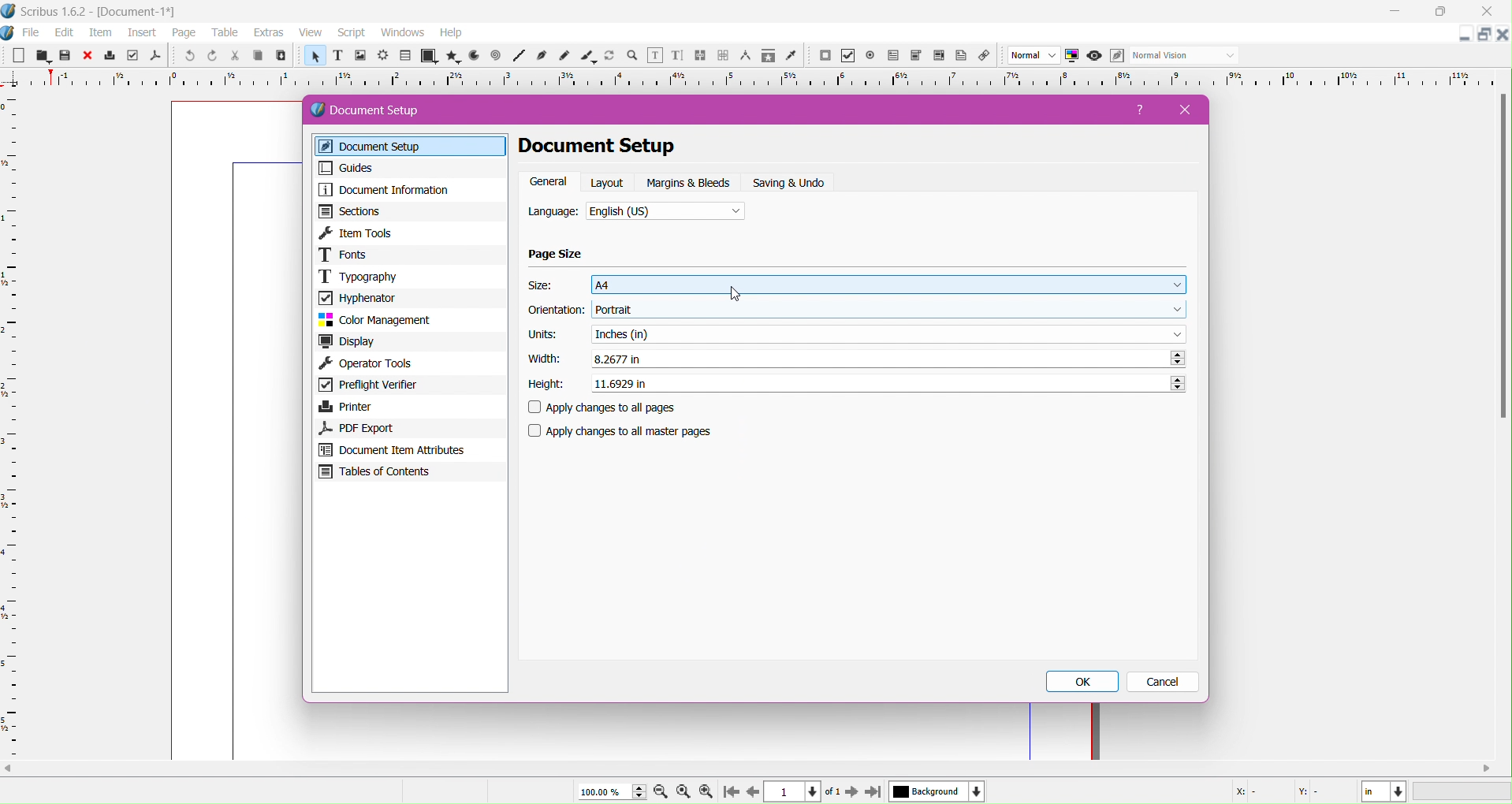 Image resolution: width=1512 pixels, height=804 pixels. I want to click on Language, so click(553, 213).